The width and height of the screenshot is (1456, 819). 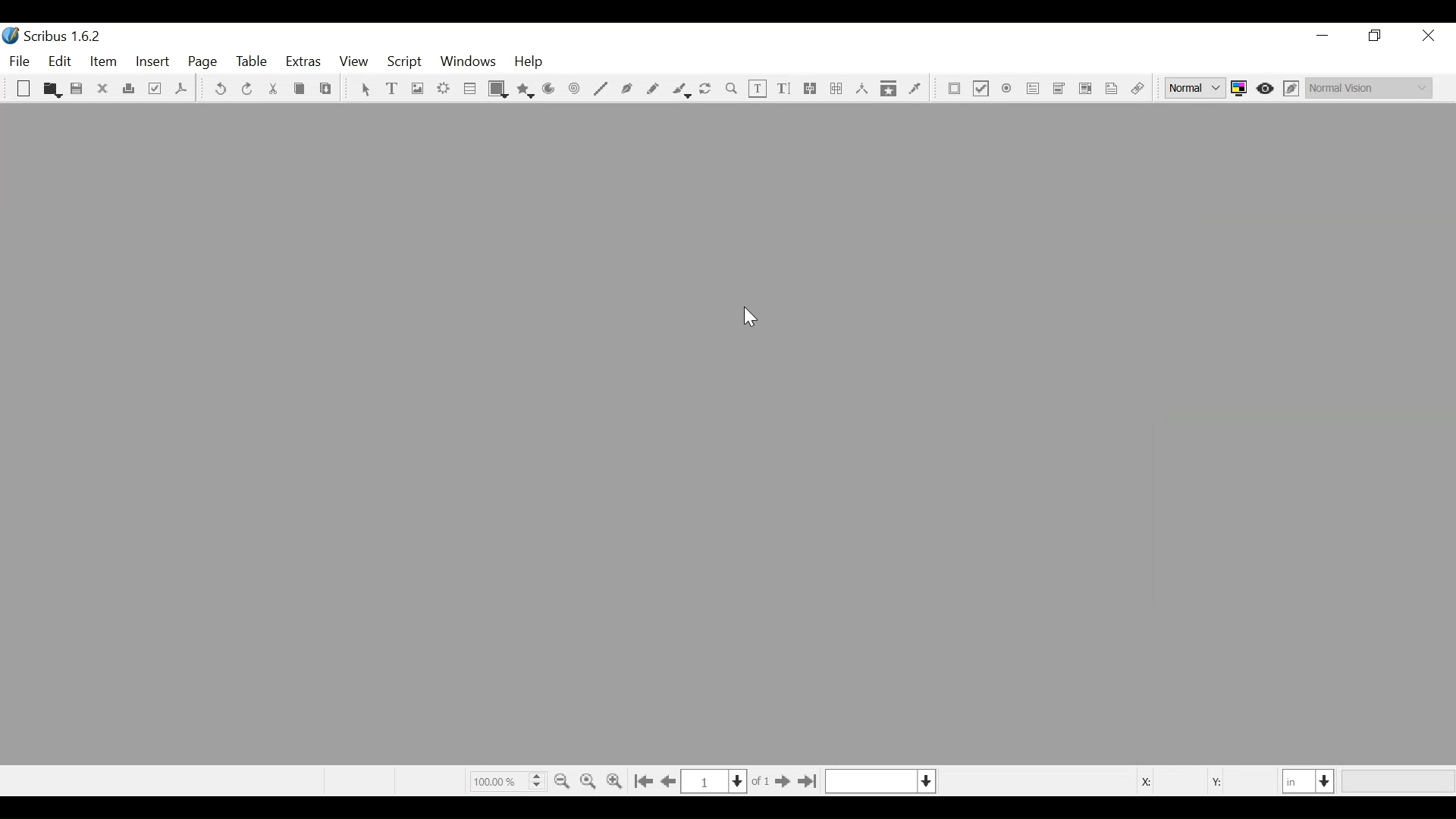 I want to click on Cut, so click(x=272, y=89).